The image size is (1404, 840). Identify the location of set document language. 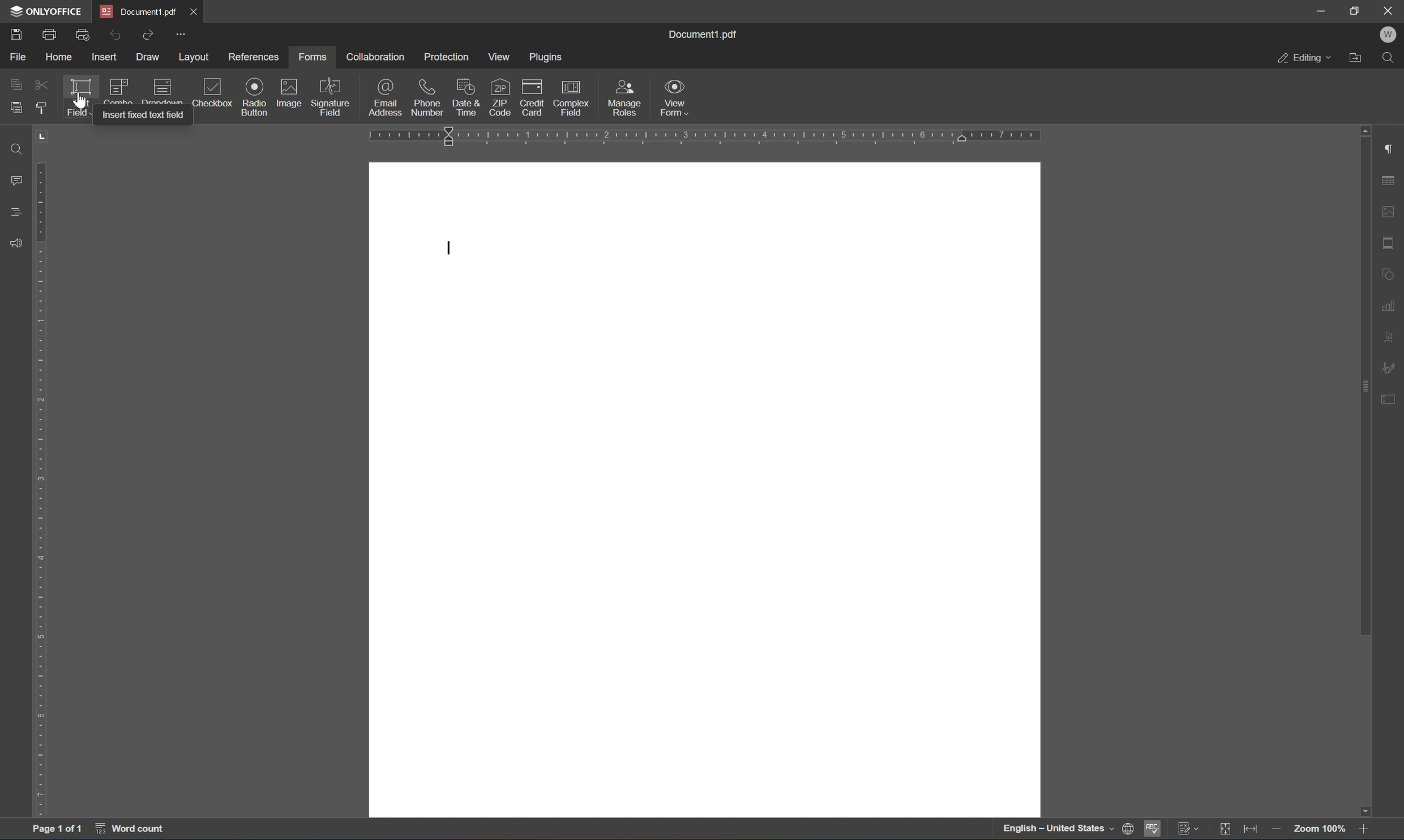
(1126, 830).